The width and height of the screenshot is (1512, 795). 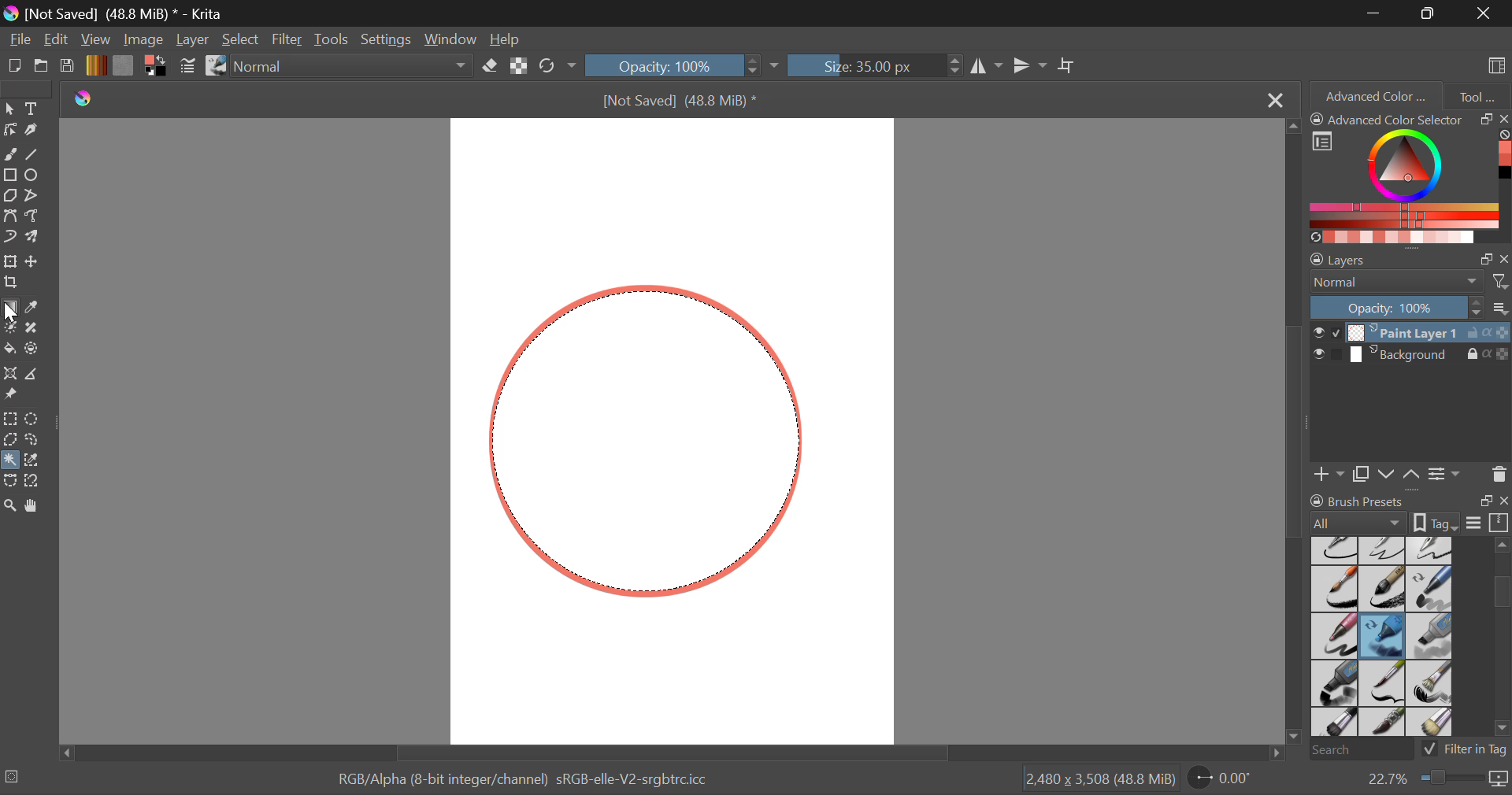 I want to click on Blending Mode, so click(x=1410, y=282).